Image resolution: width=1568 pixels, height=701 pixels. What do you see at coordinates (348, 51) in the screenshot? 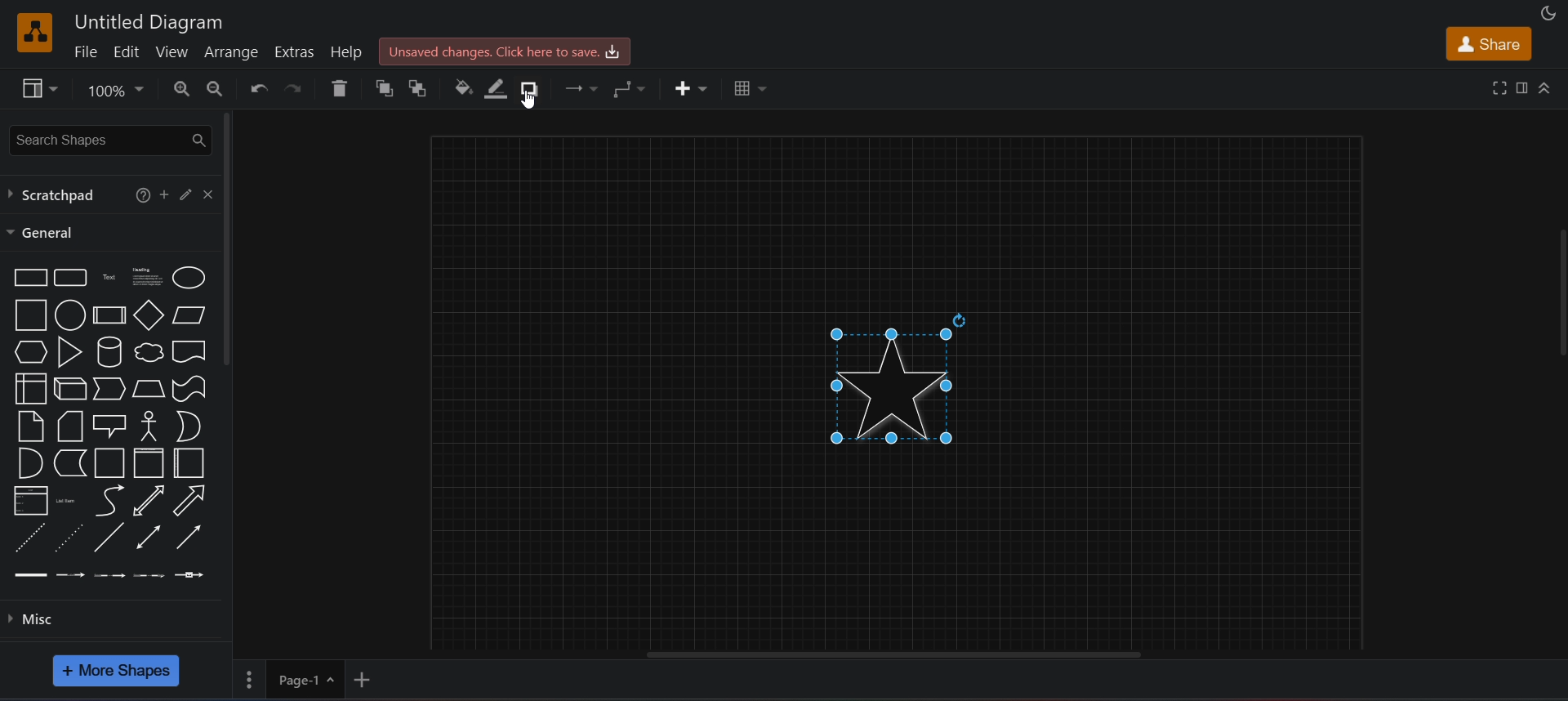
I see `help` at bounding box center [348, 51].